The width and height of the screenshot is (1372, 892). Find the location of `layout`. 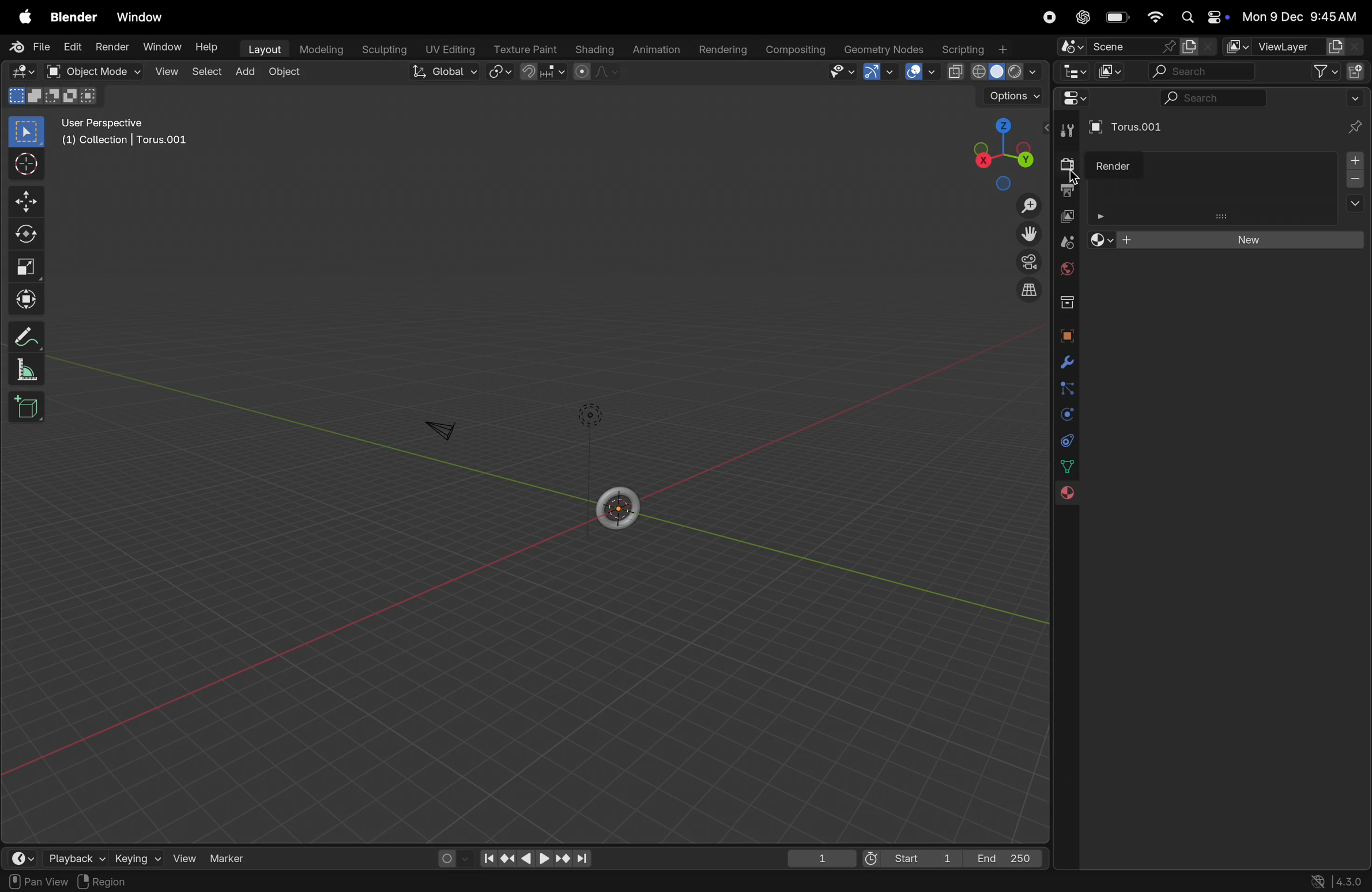

layout is located at coordinates (263, 48).